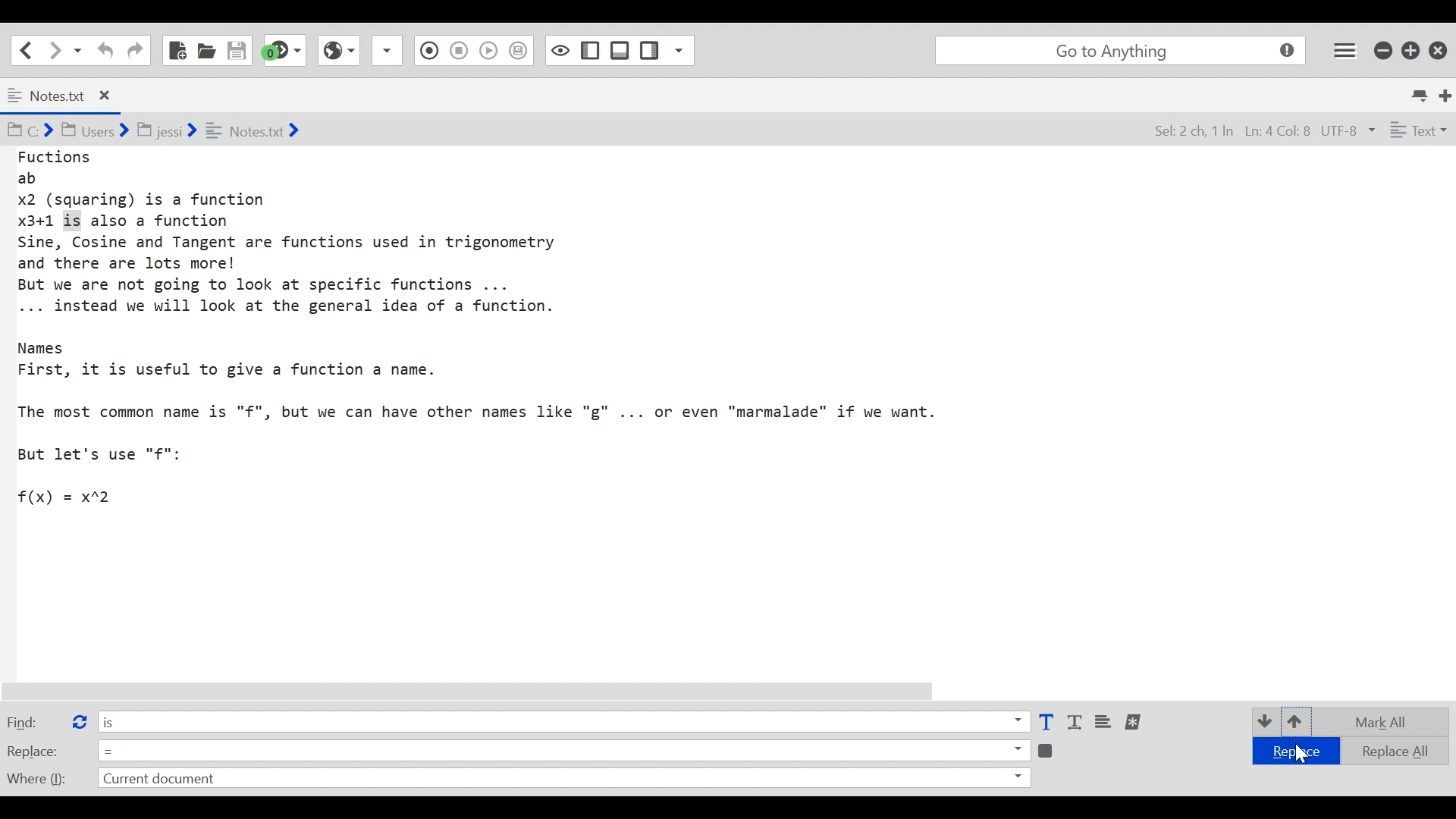  Describe the element at coordinates (563, 749) in the screenshot. I see `Replace Field` at that location.